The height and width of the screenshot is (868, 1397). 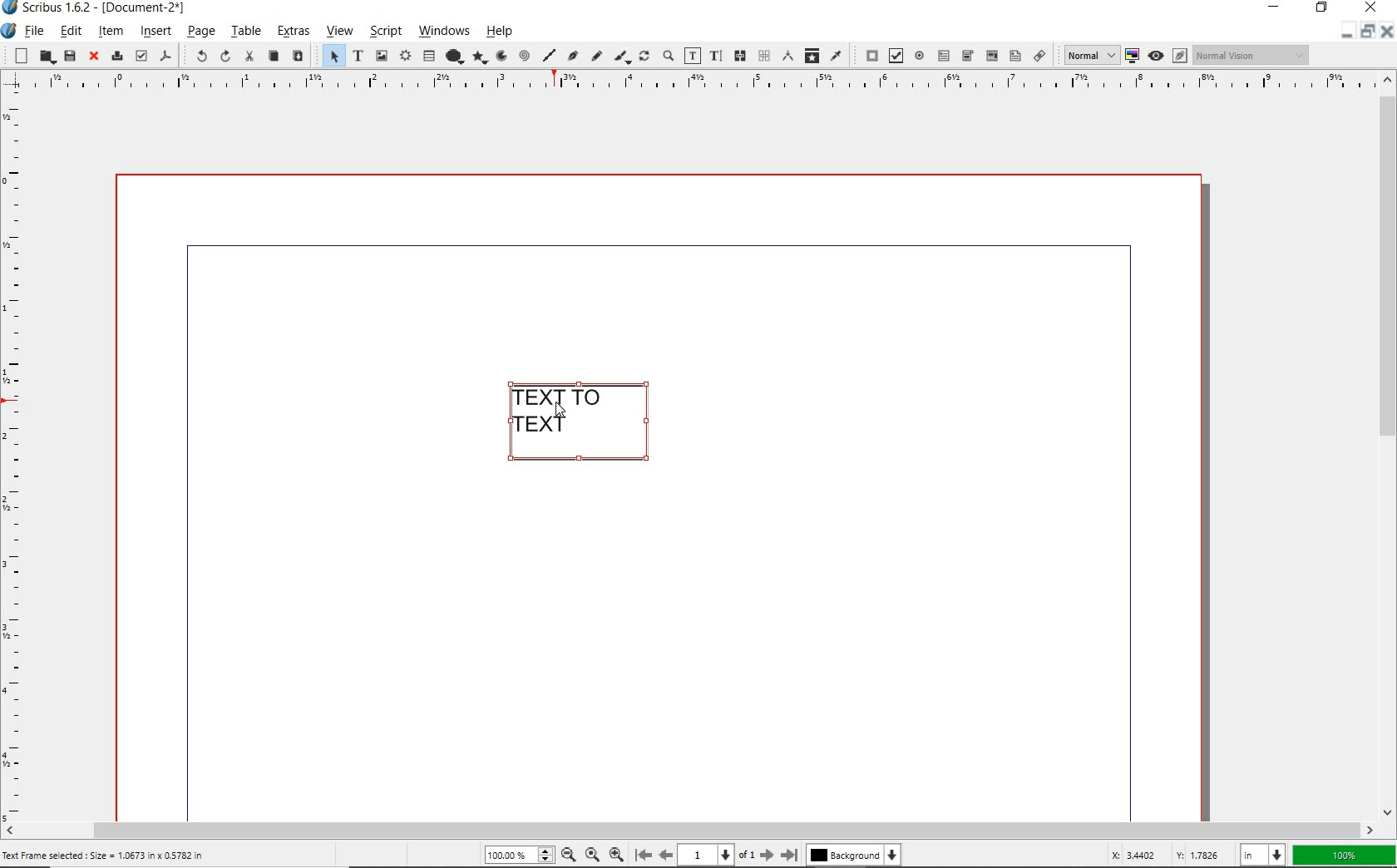 I want to click on link text frames, so click(x=740, y=56).